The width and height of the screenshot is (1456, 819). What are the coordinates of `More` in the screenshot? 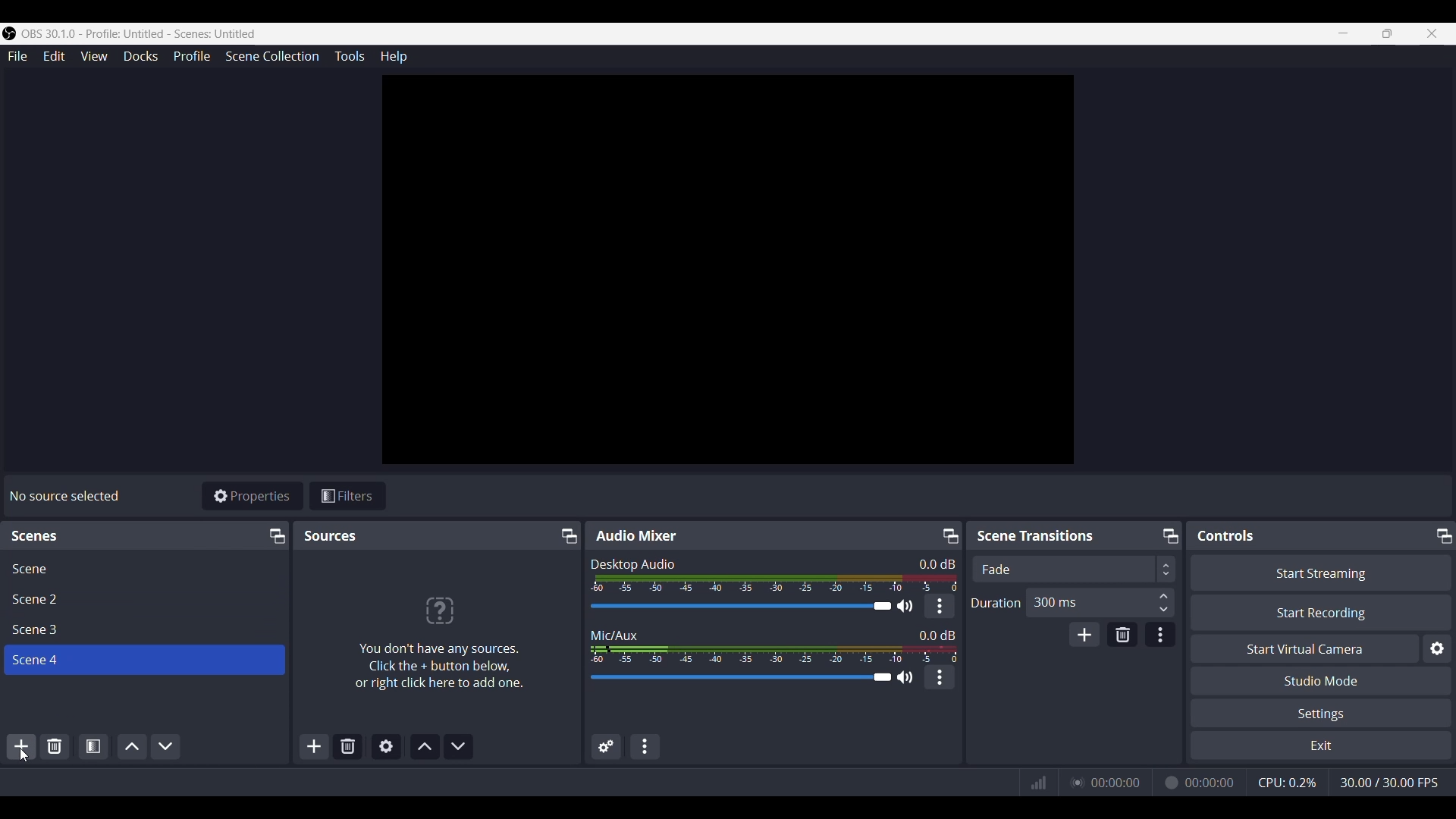 It's located at (940, 607).